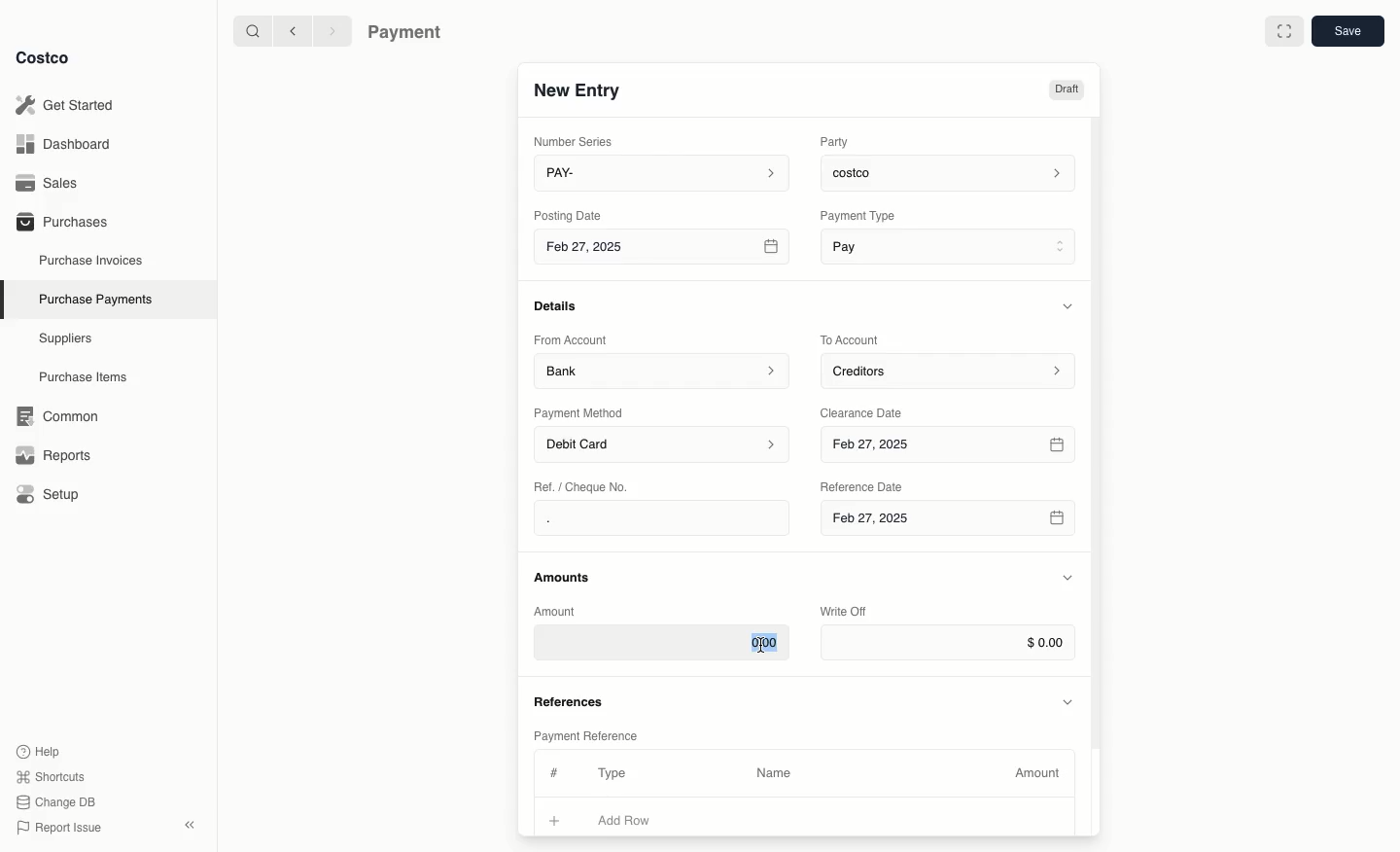 The image size is (1400, 852). Describe the element at coordinates (61, 221) in the screenshot. I see `Purchases` at that location.